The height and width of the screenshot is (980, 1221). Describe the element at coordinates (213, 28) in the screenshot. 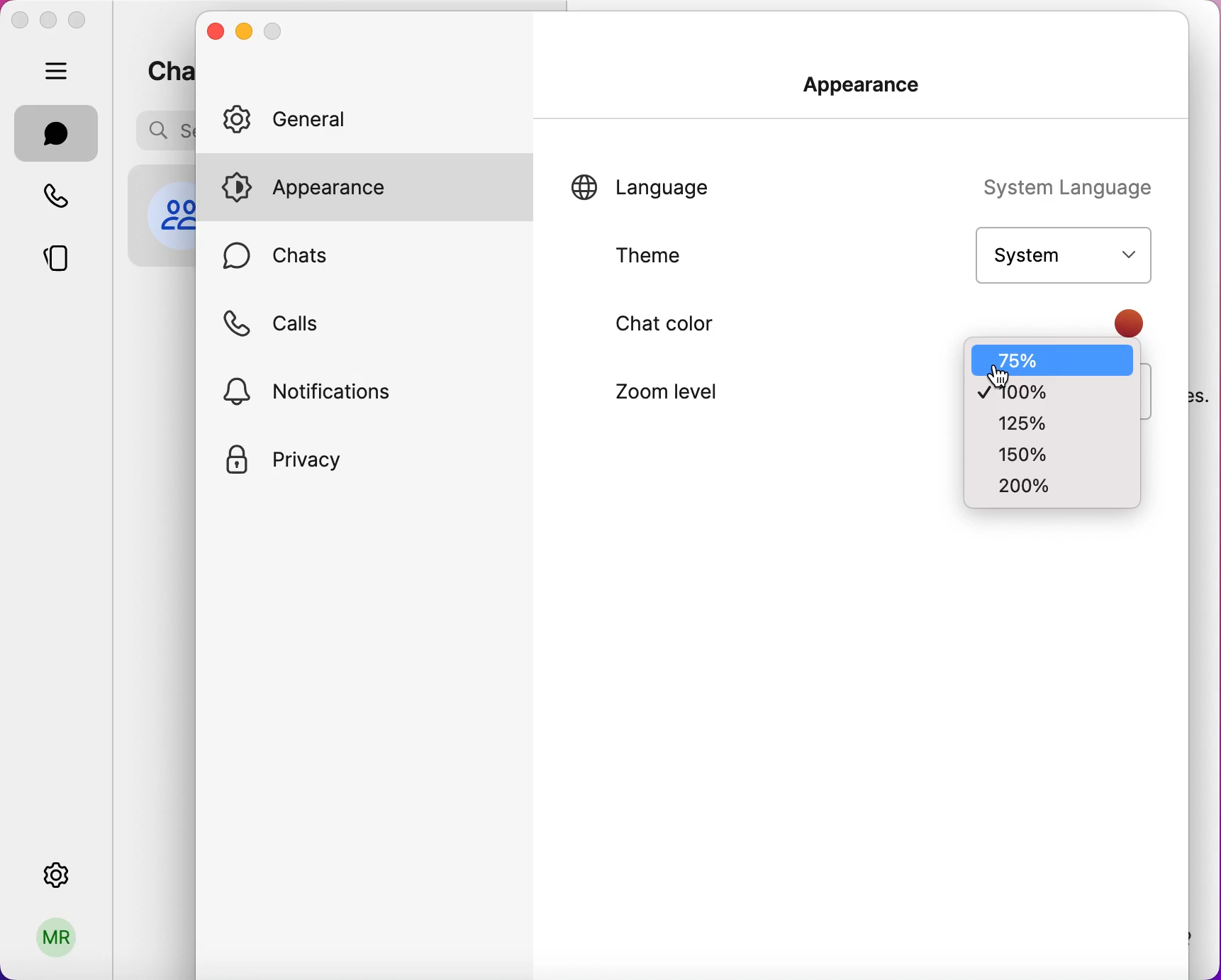

I see `close` at that location.